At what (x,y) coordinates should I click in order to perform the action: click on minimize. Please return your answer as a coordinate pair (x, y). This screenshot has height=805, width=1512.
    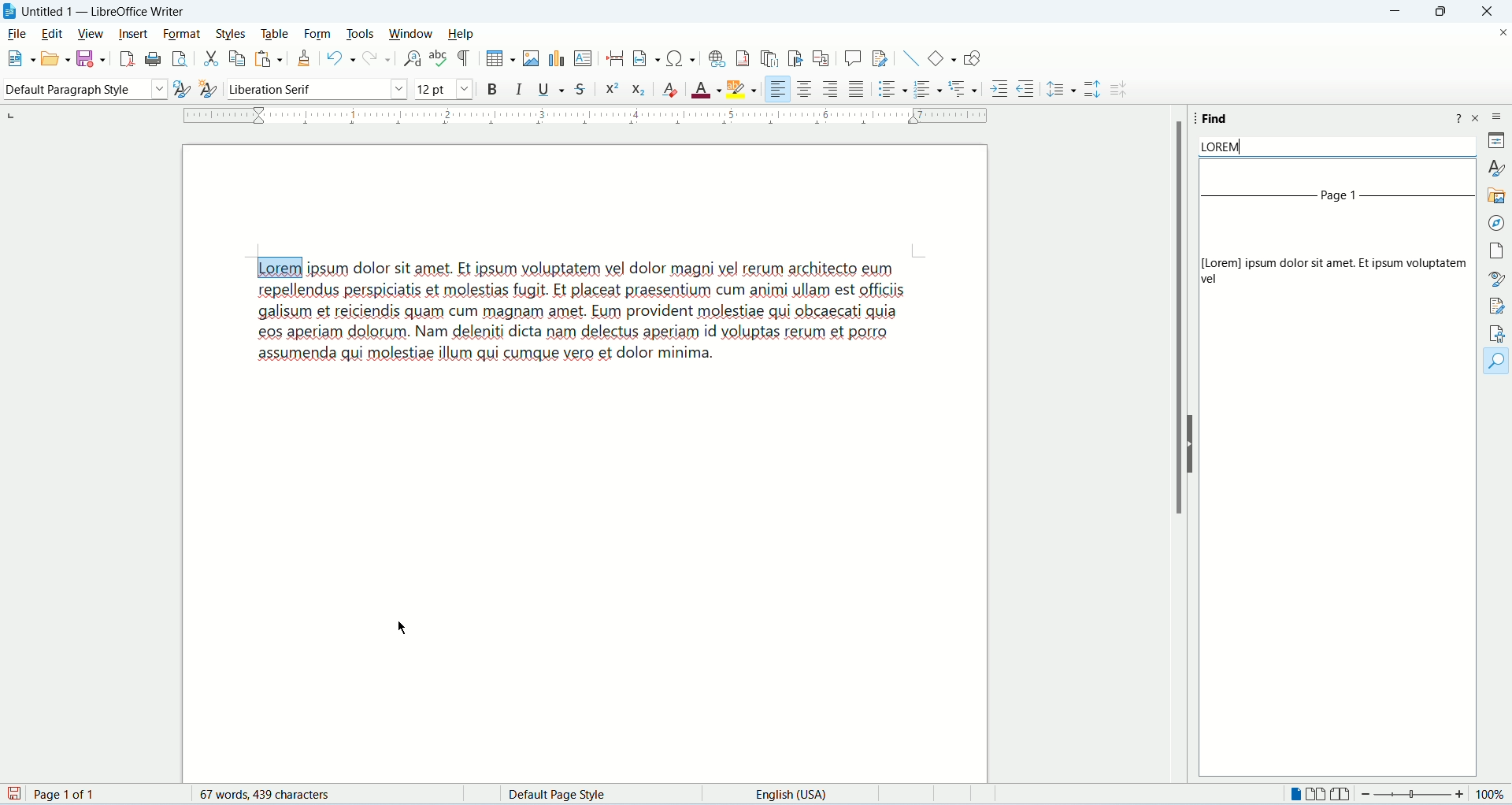
    Looking at the image, I should click on (1396, 11).